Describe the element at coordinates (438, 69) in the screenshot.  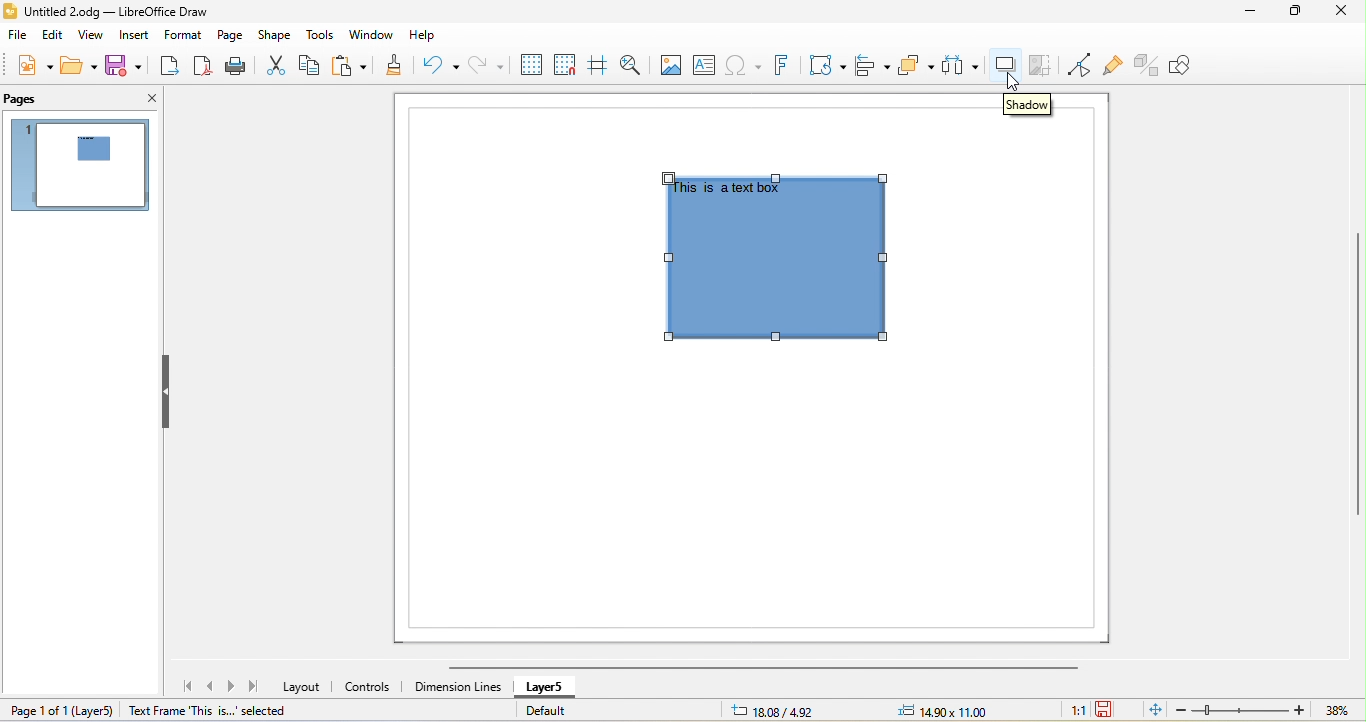
I see `undo` at that location.